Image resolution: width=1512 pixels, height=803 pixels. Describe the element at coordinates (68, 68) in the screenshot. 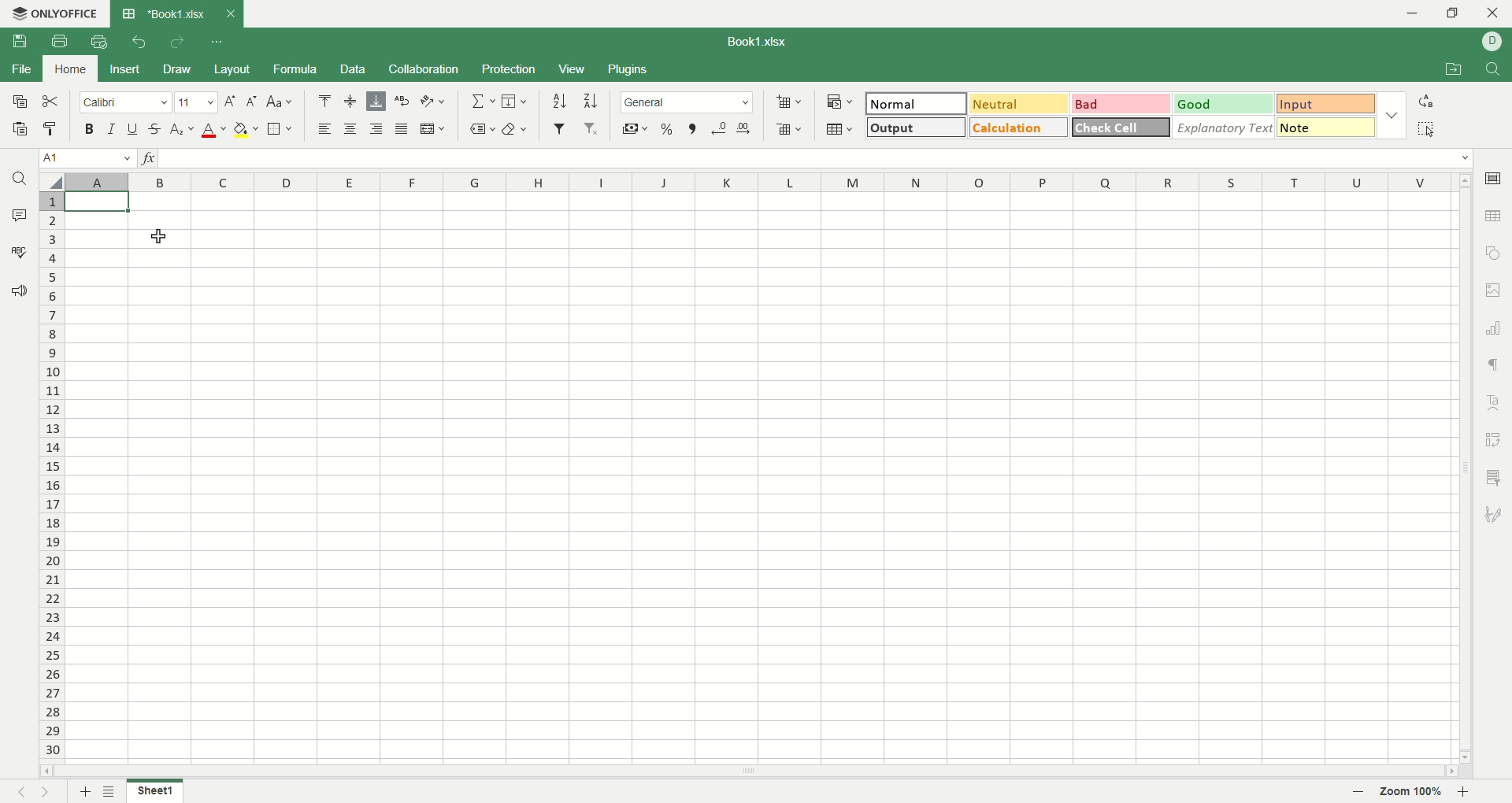

I see `home` at that location.